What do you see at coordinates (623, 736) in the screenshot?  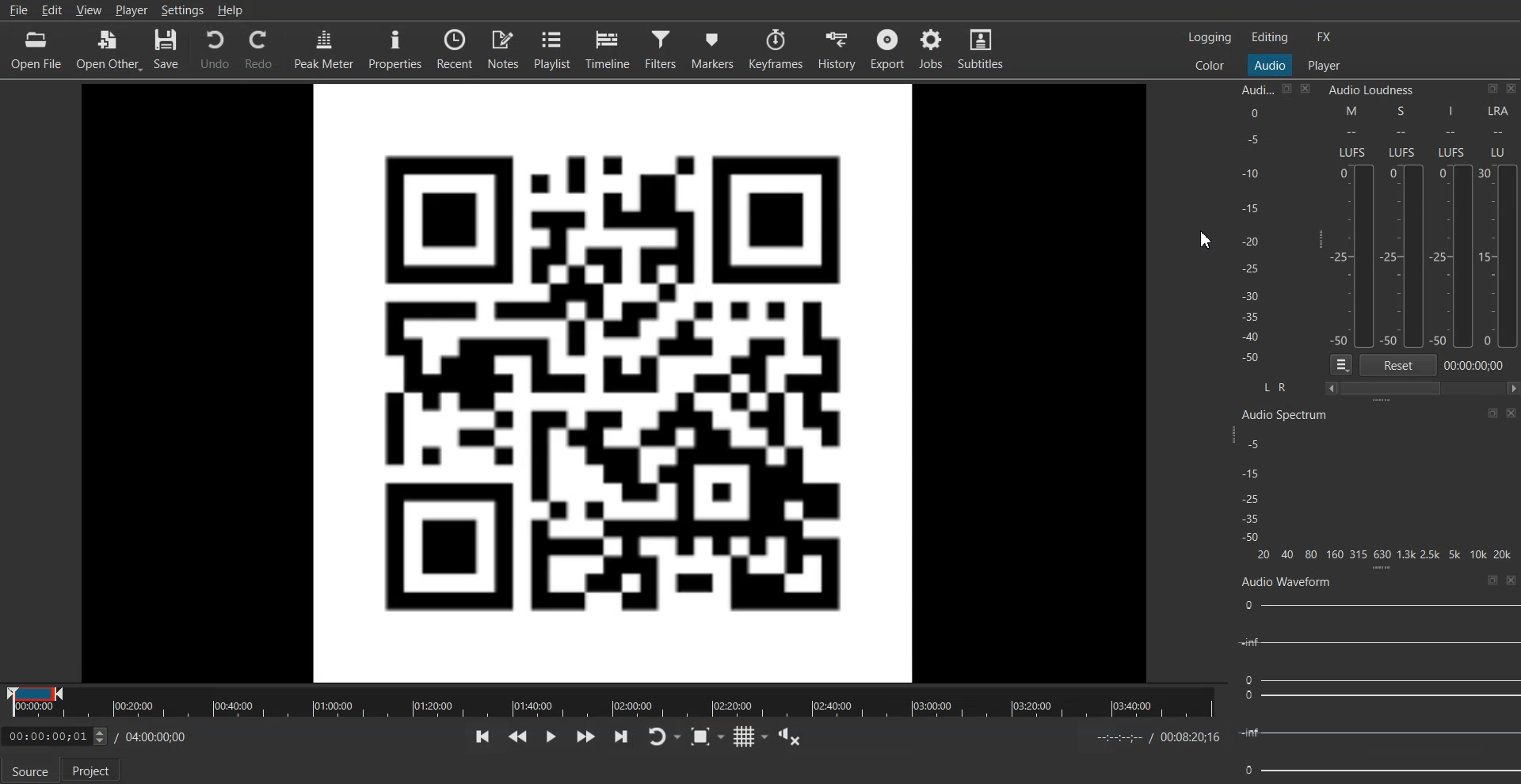 I see `Skip to the next point` at bounding box center [623, 736].